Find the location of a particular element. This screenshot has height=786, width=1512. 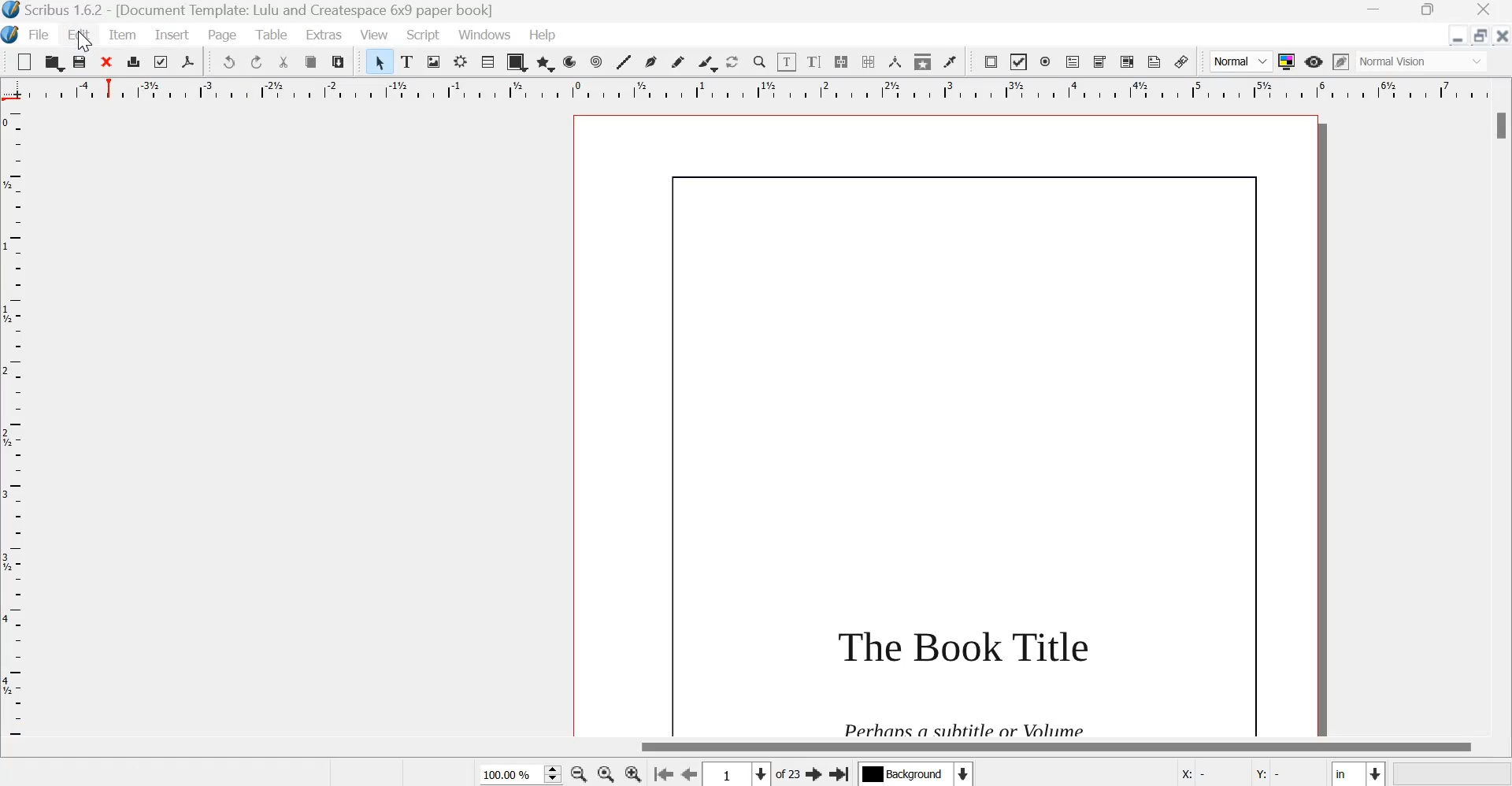

spiral is located at coordinates (596, 61).